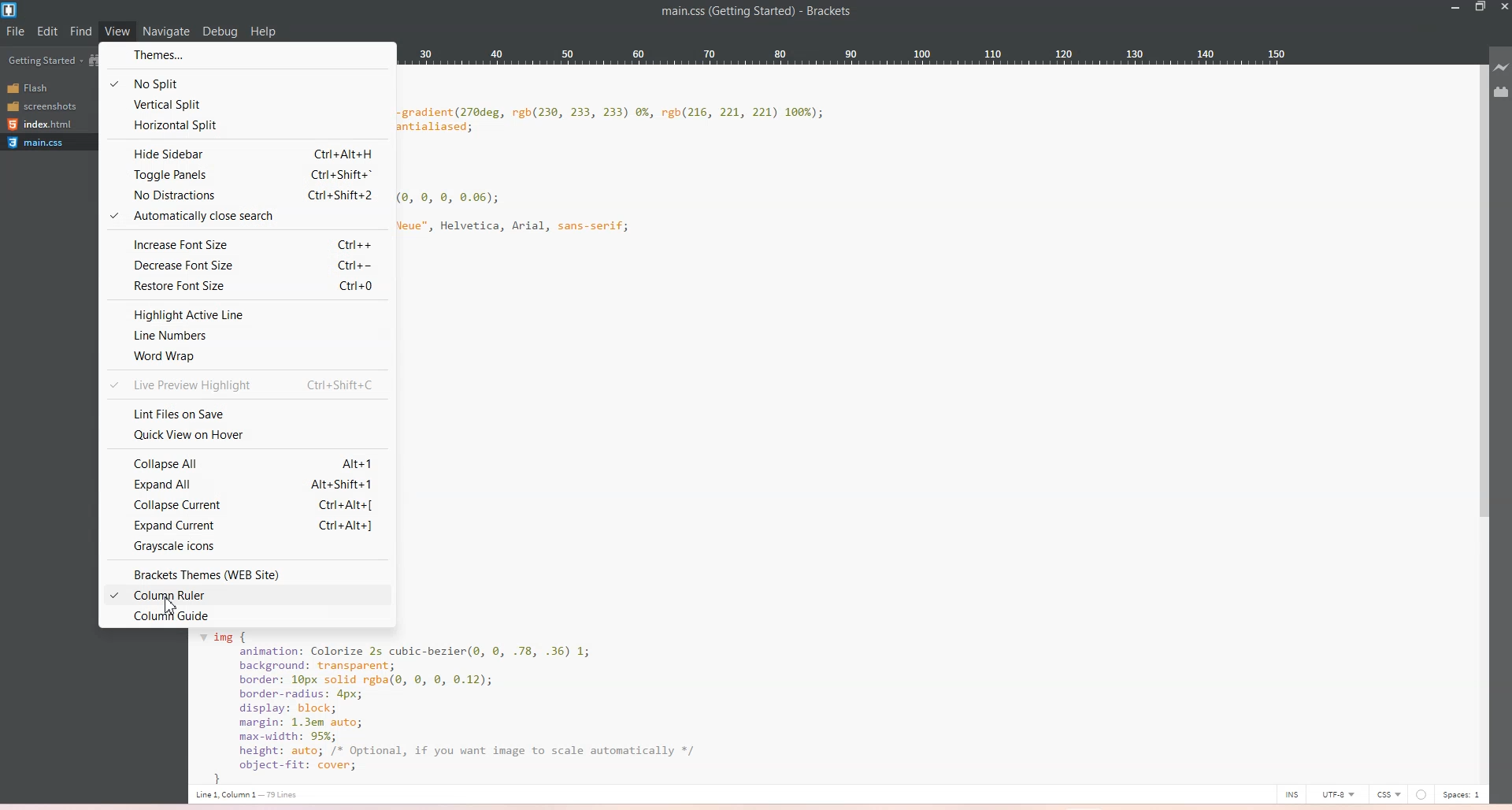 The width and height of the screenshot is (1512, 810). What do you see at coordinates (246, 597) in the screenshot?
I see `Column Ruler` at bounding box center [246, 597].